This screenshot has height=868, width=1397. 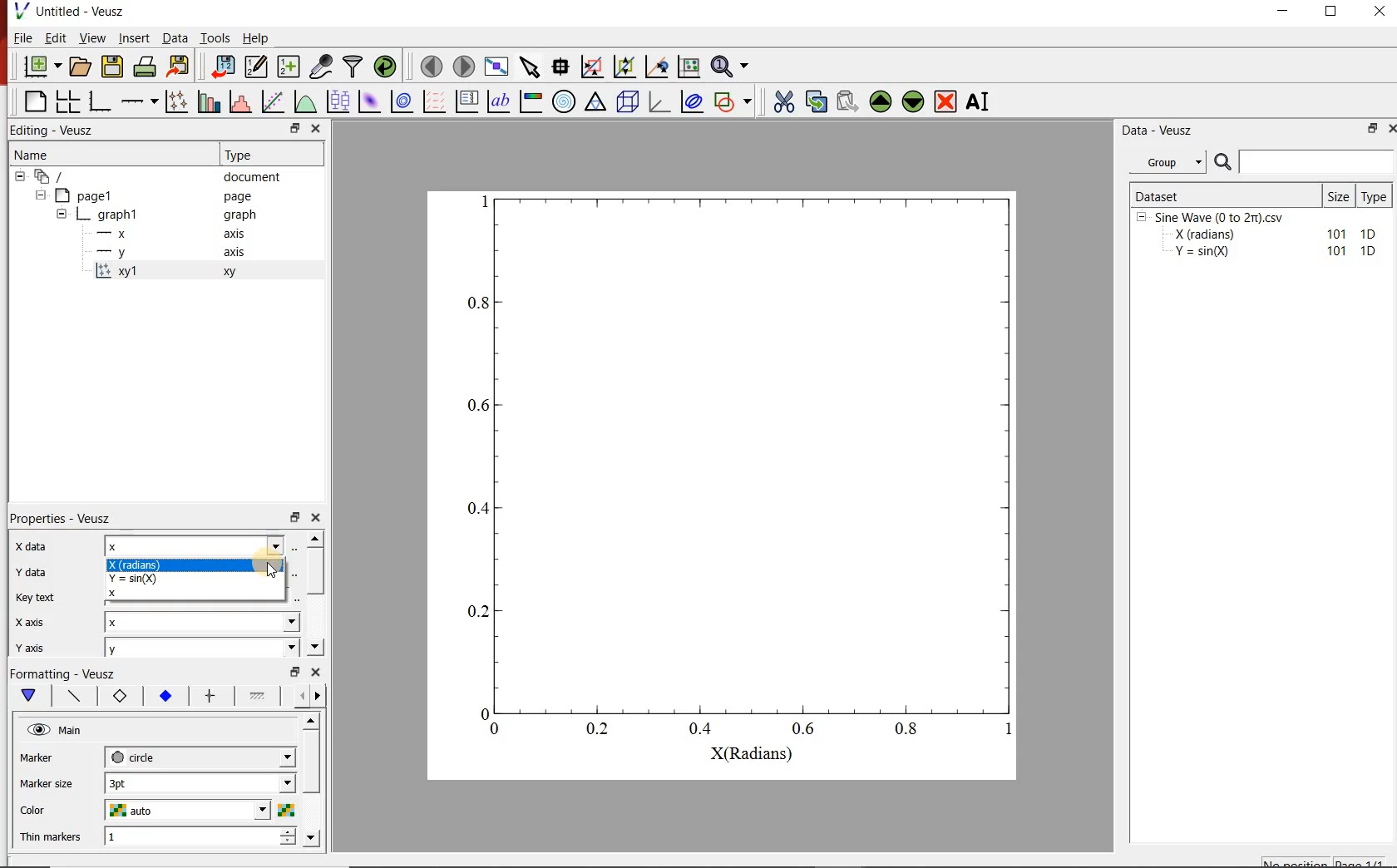 What do you see at coordinates (627, 65) in the screenshot?
I see `click to zoom out` at bounding box center [627, 65].